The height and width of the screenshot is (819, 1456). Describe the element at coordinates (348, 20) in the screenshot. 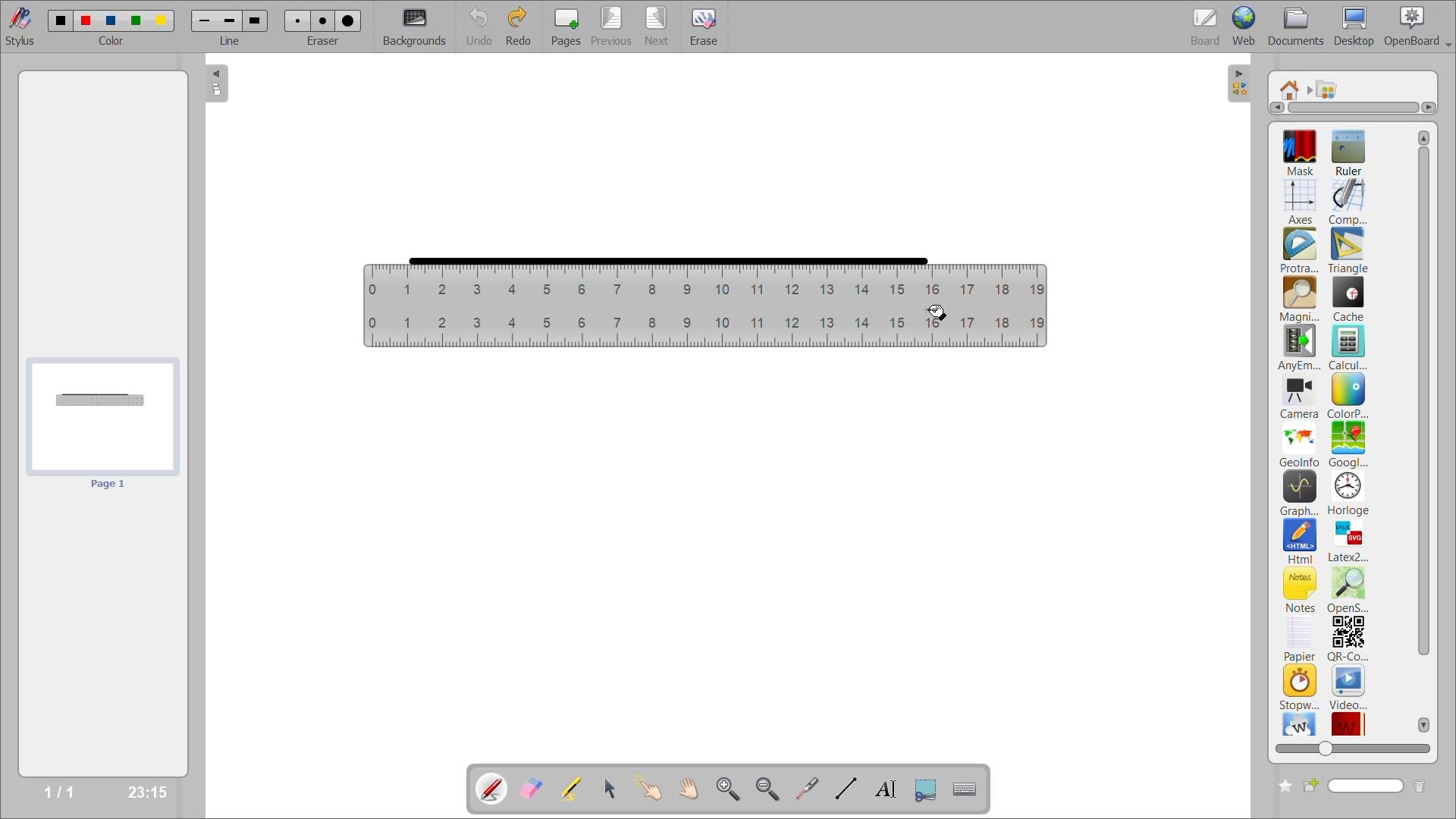

I see `eraser 3` at that location.